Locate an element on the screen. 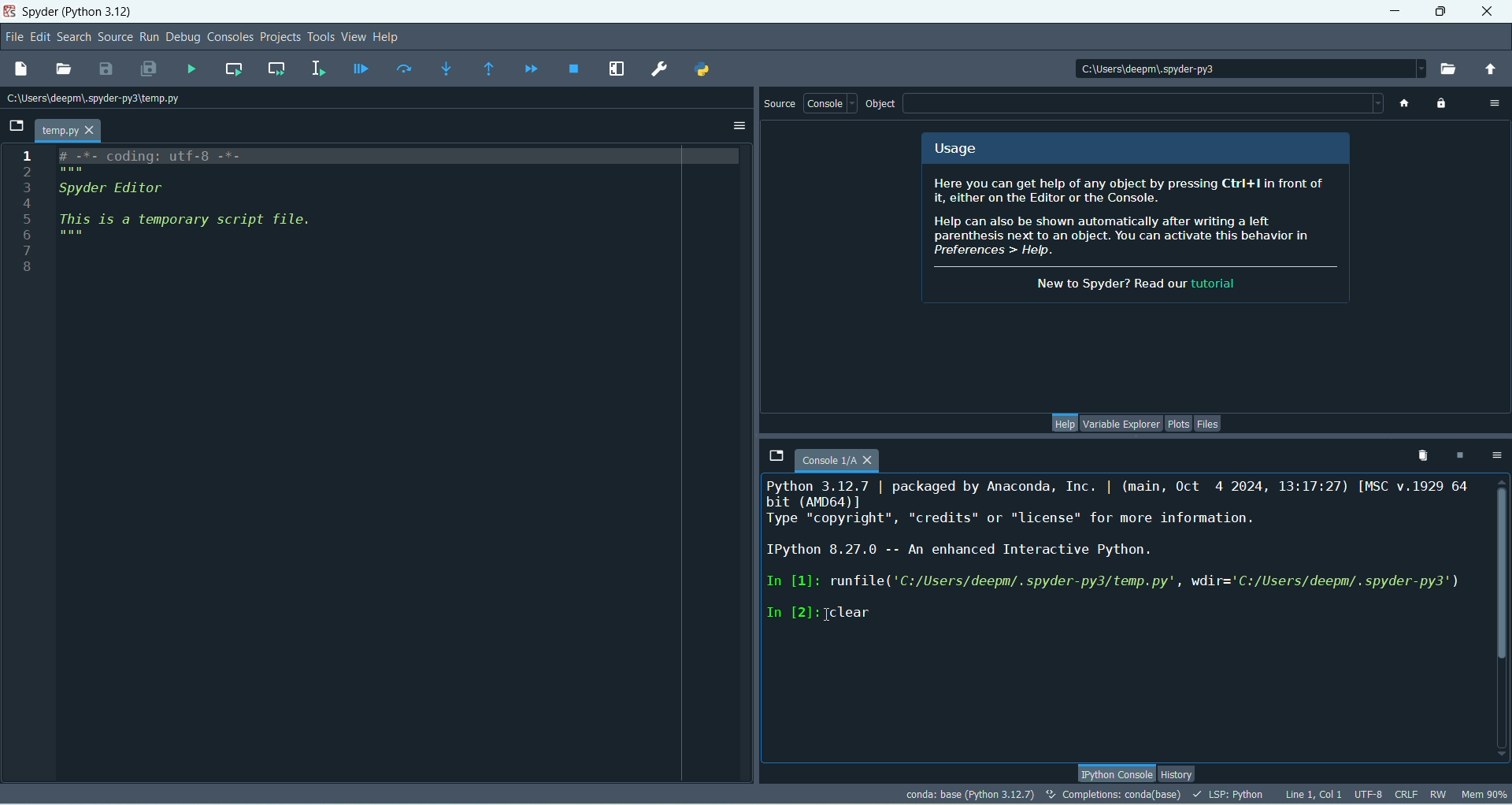 The width and height of the screenshot is (1512, 805). console is located at coordinates (831, 102).